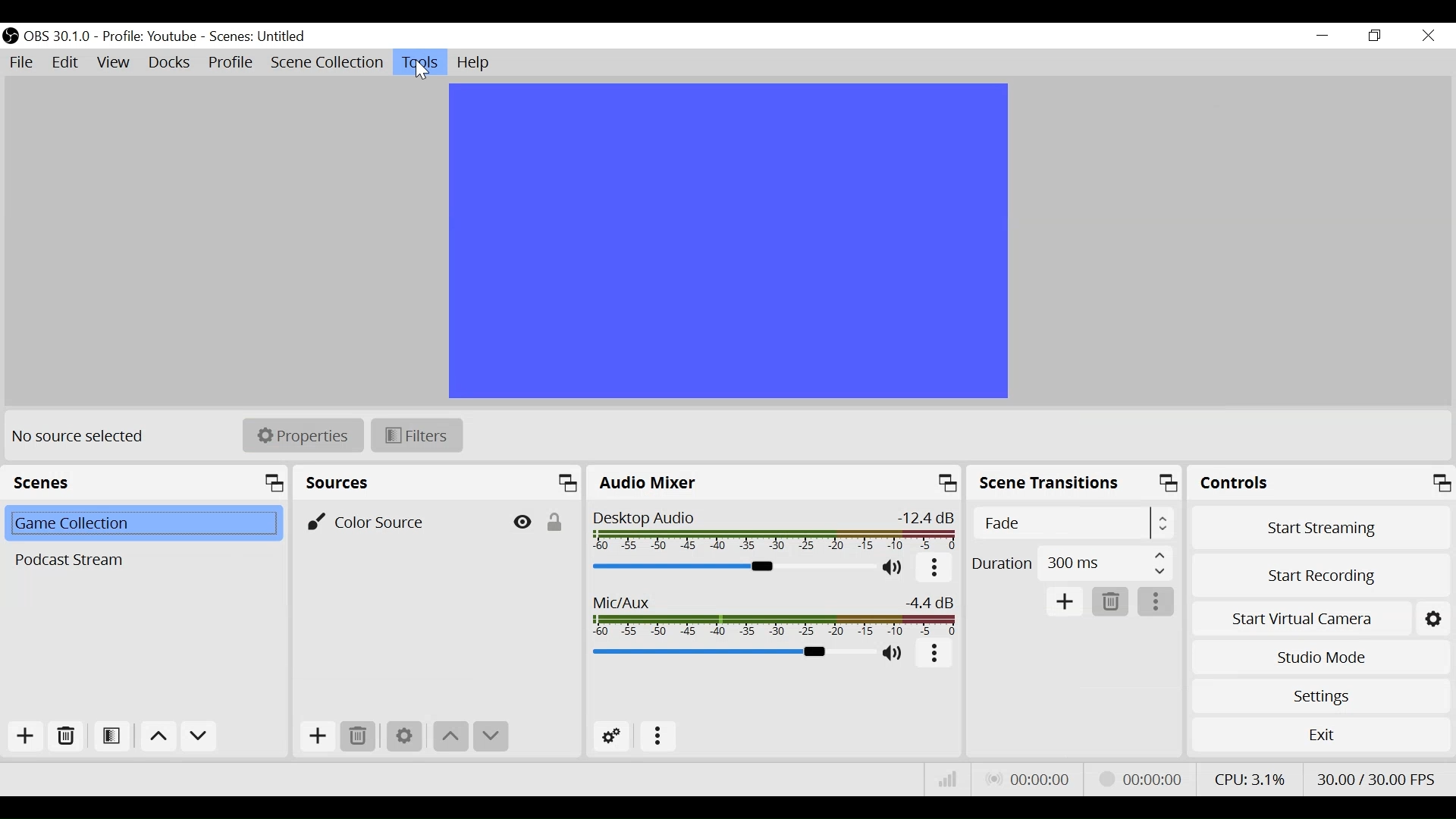  I want to click on (un)lock, so click(554, 519).